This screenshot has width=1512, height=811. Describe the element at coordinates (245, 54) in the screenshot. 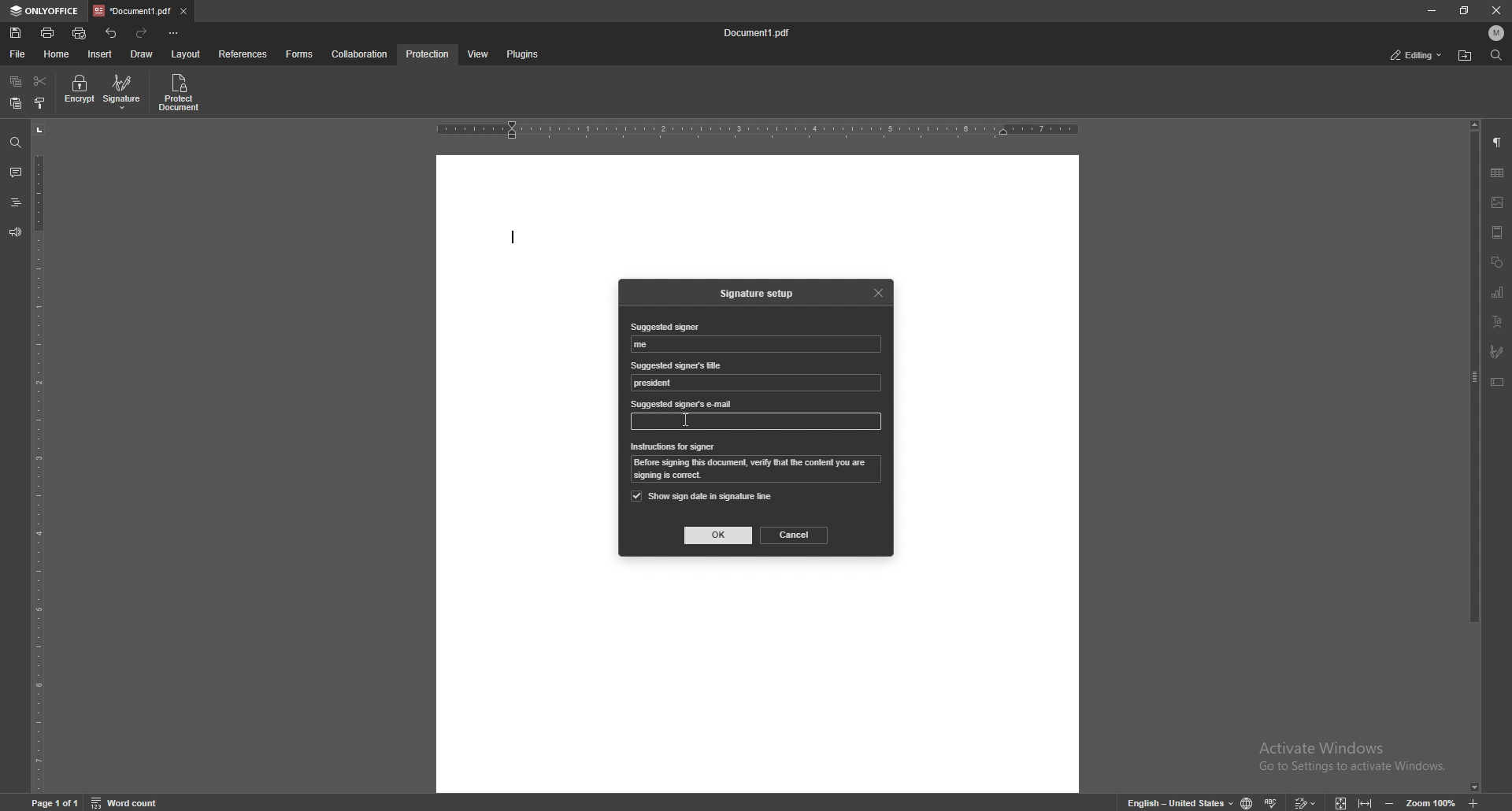

I see `references` at that location.